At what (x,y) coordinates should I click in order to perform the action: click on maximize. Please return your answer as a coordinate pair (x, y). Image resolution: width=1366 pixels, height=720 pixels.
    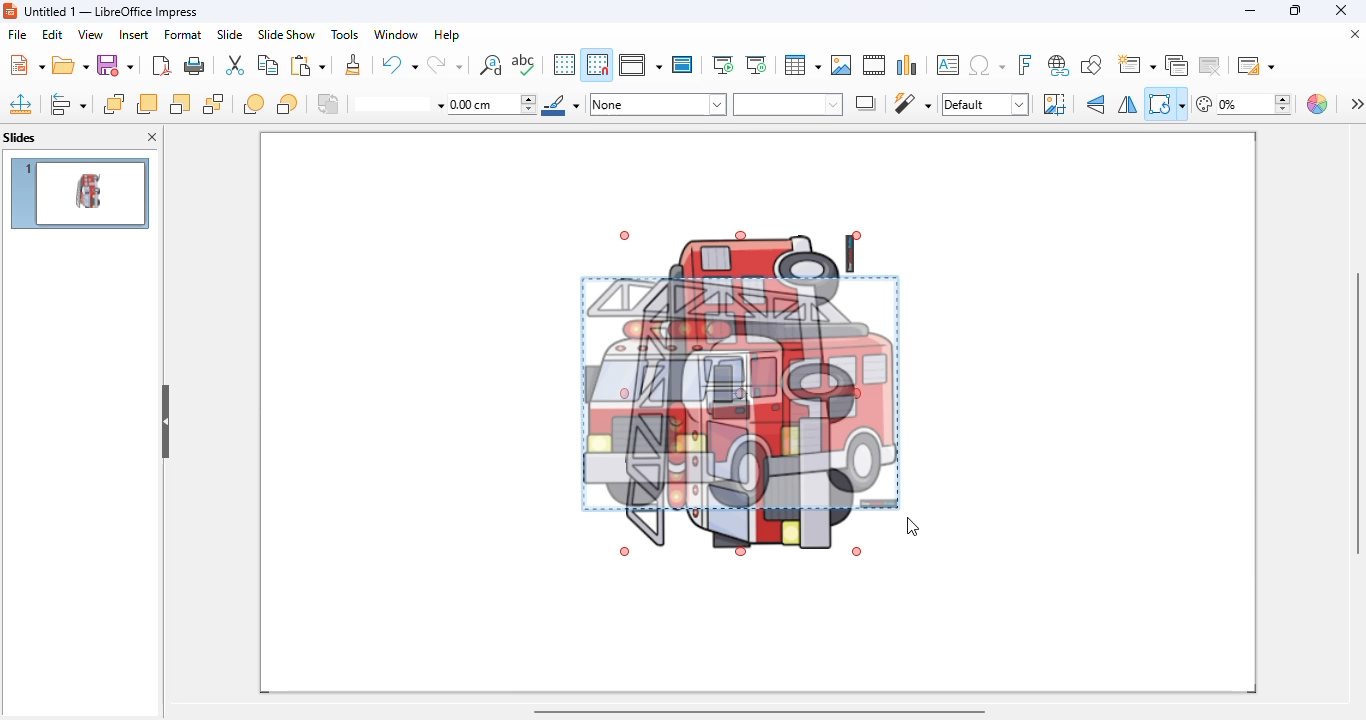
    Looking at the image, I should click on (1294, 10).